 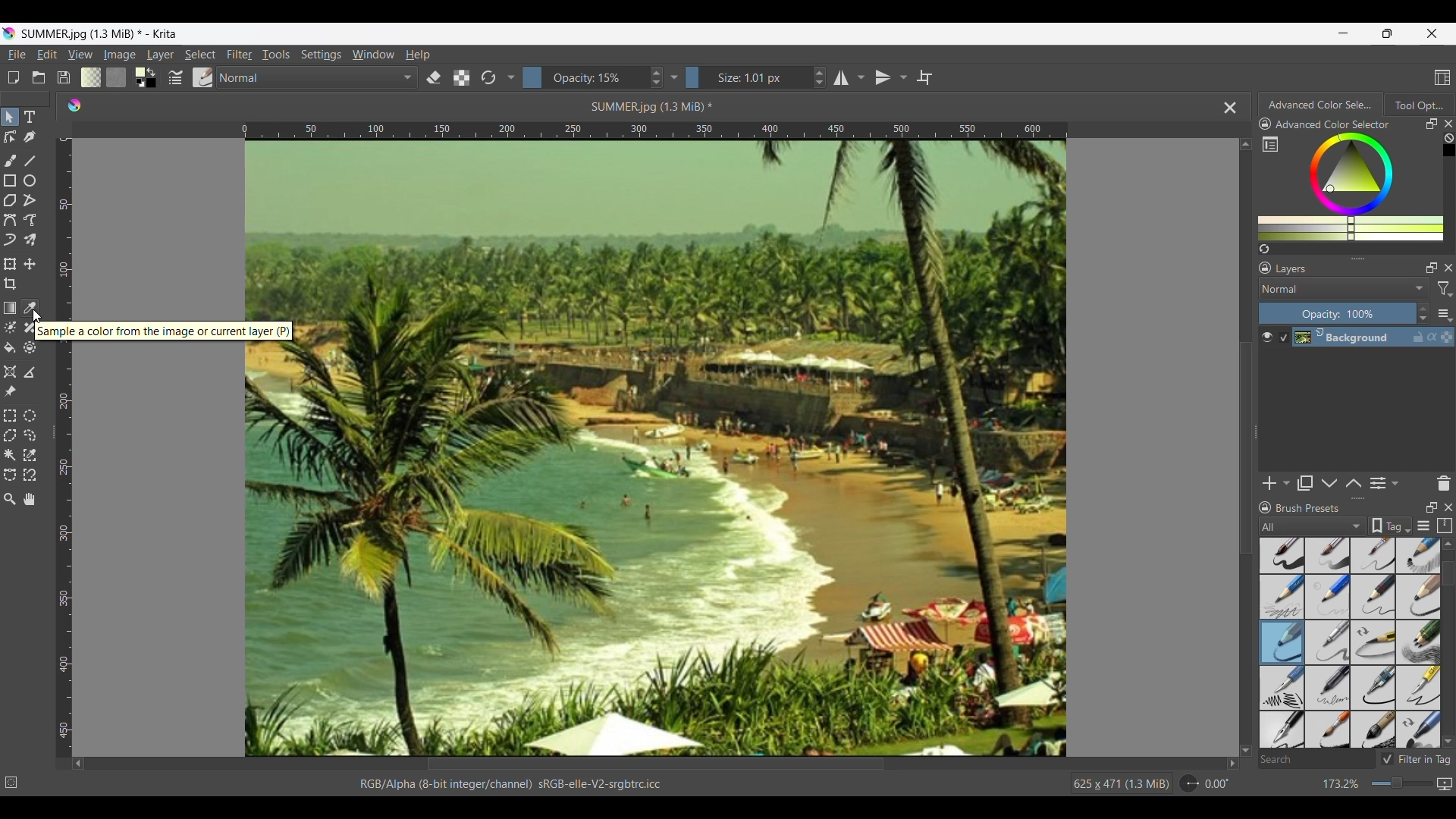 I want to click on Horizontal mirror tool settings, so click(x=860, y=77).